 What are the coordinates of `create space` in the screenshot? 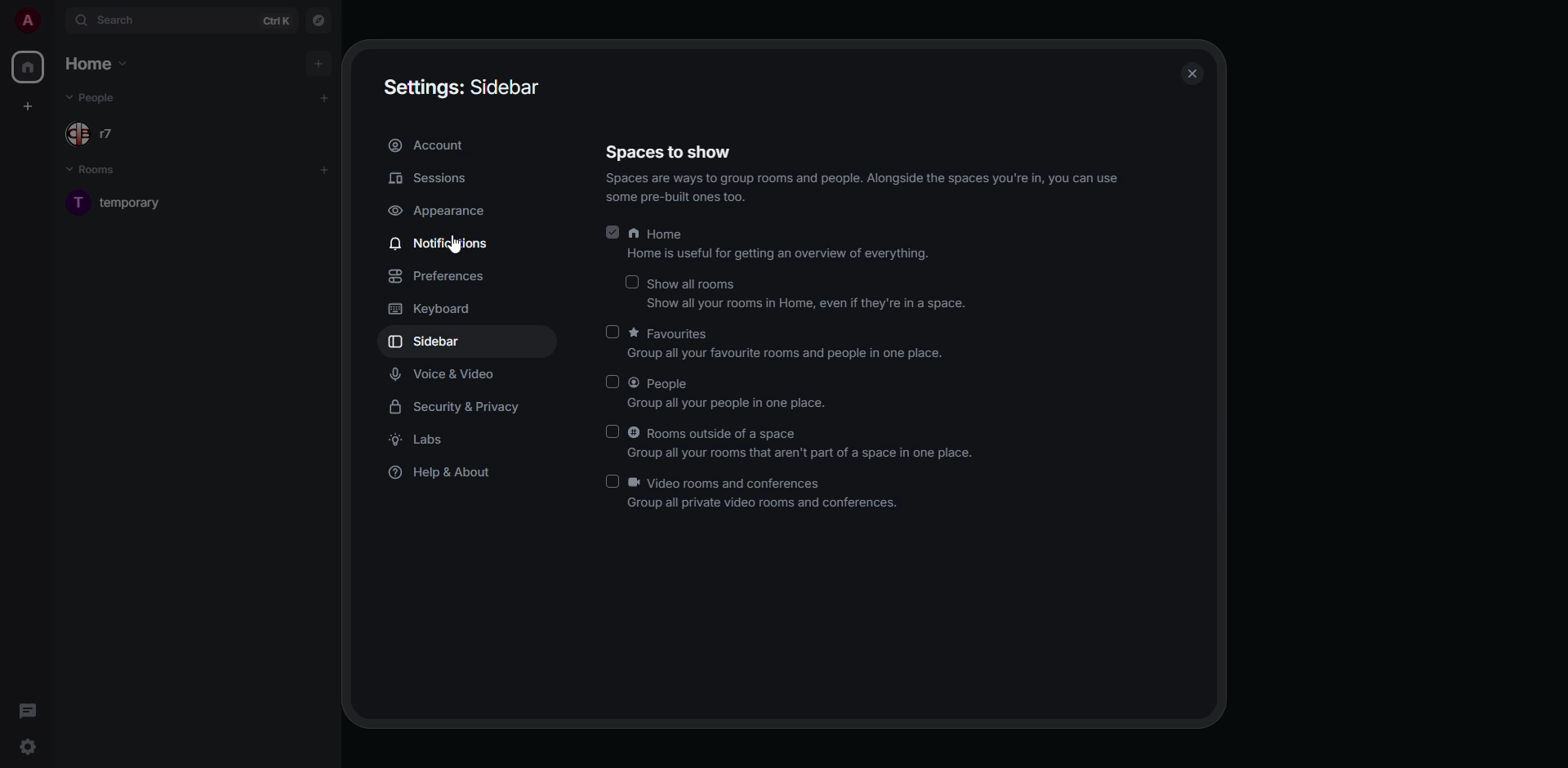 It's located at (28, 105).